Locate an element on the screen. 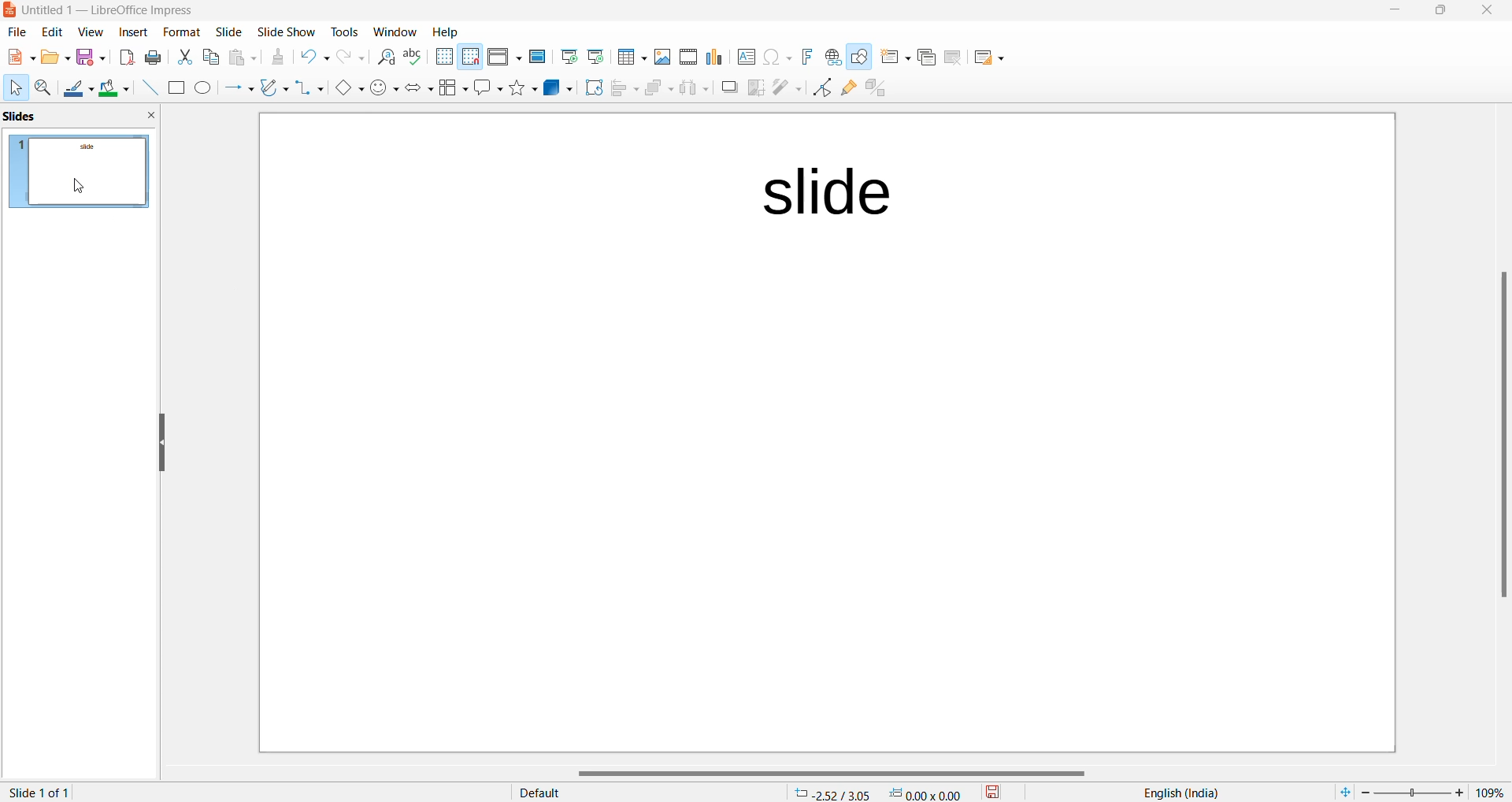 This screenshot has width=1512, height=802. paste options is located at coordinates (246, 58).